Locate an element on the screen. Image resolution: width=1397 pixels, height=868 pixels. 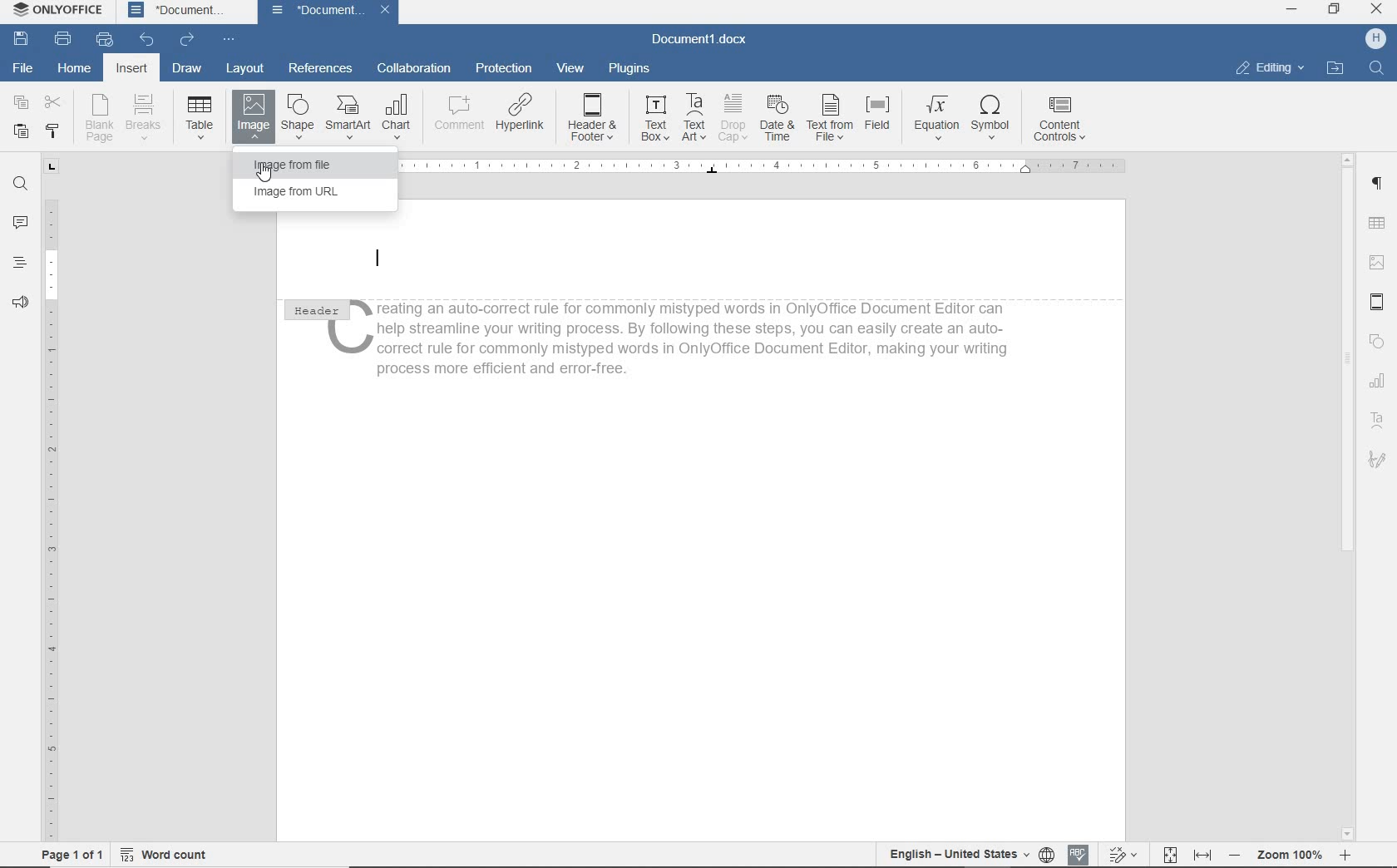
IMAGE FROM URL is located at coordinates (304, 195).